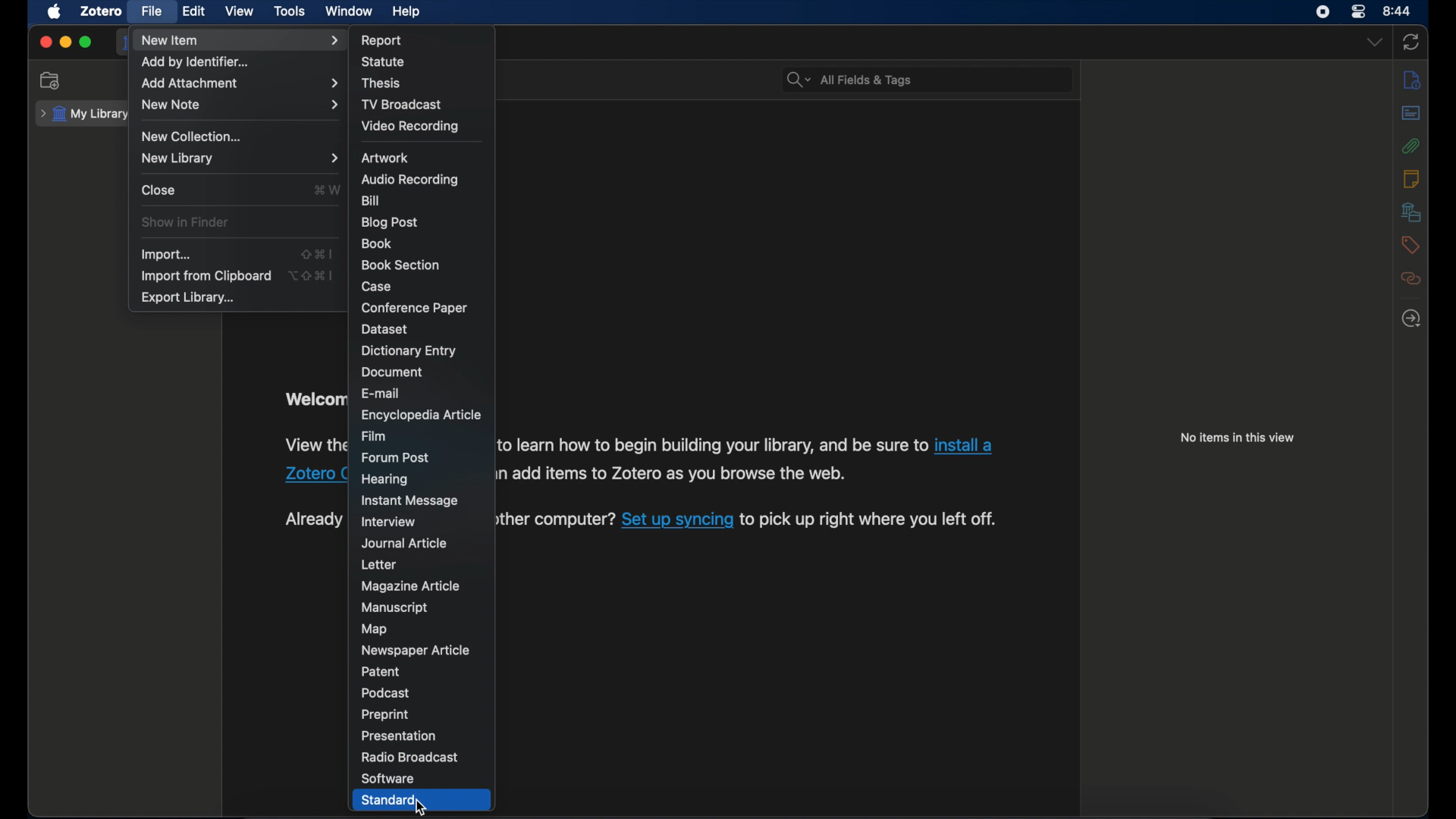  I want to click on my library, so click(83, 115).